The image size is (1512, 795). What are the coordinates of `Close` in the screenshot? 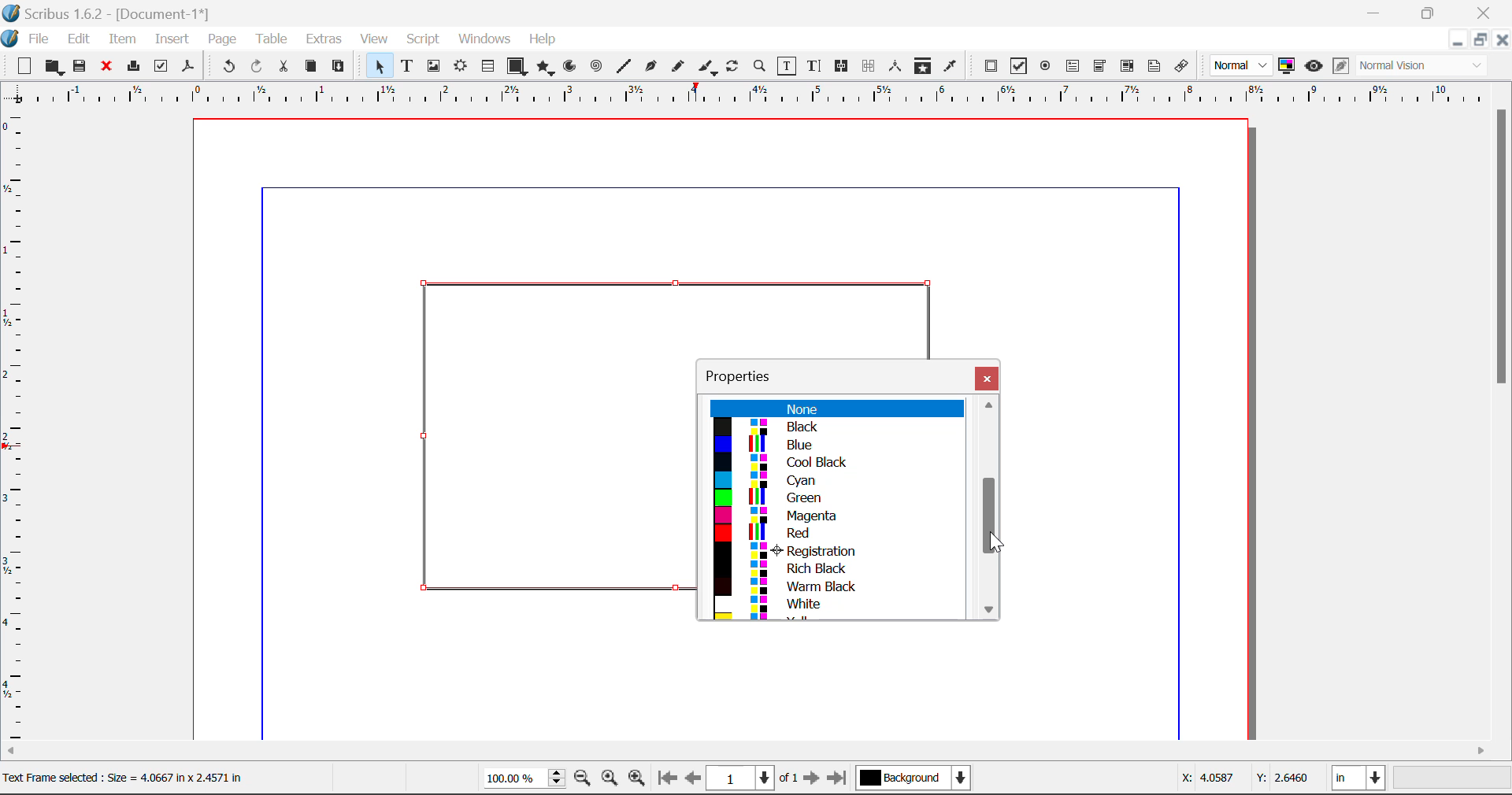 It's located at (987, 378).